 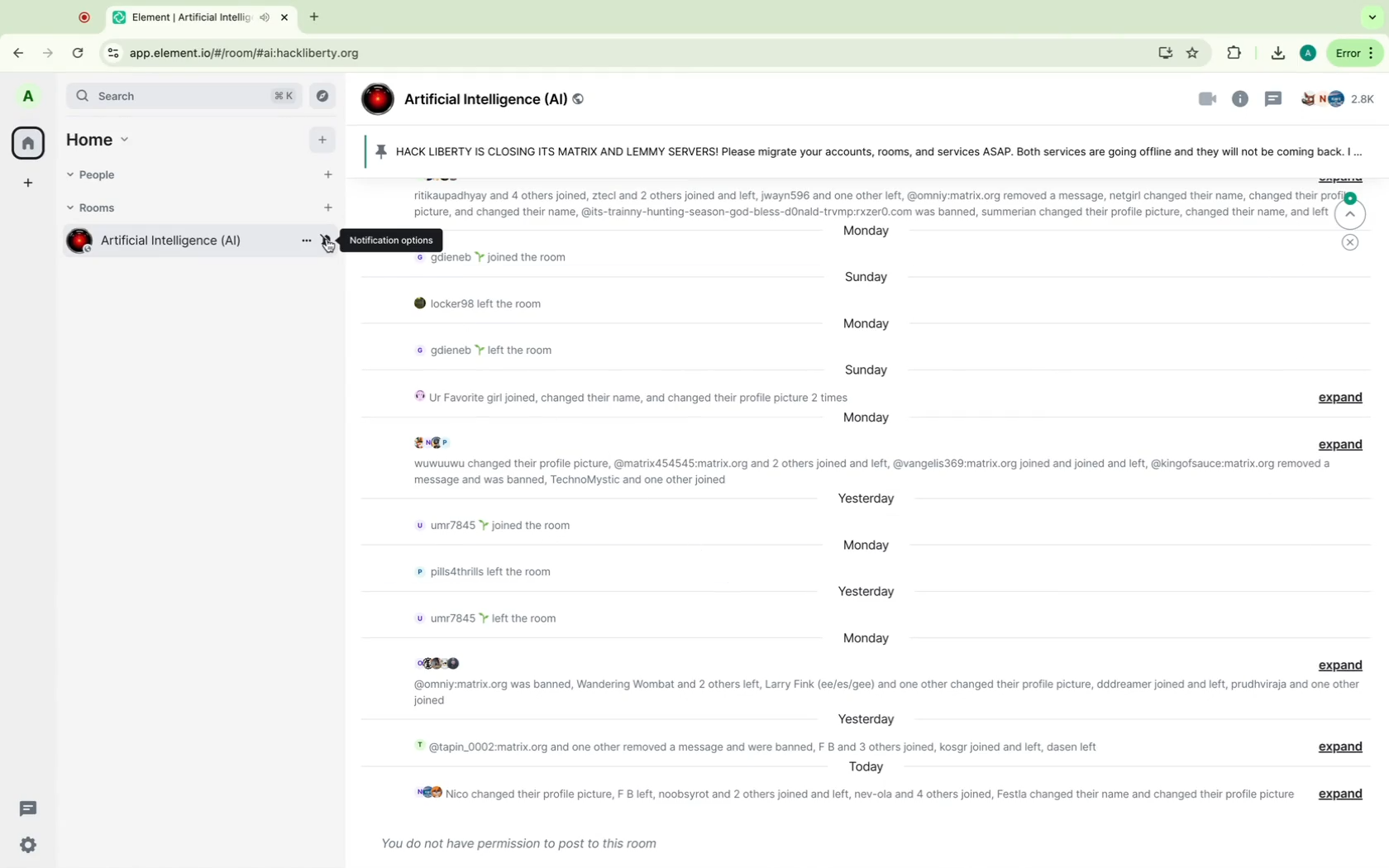 What do you see at coordinates (481, 94) in the screenshot?
I see `group name` at bounding box center [481, 94].